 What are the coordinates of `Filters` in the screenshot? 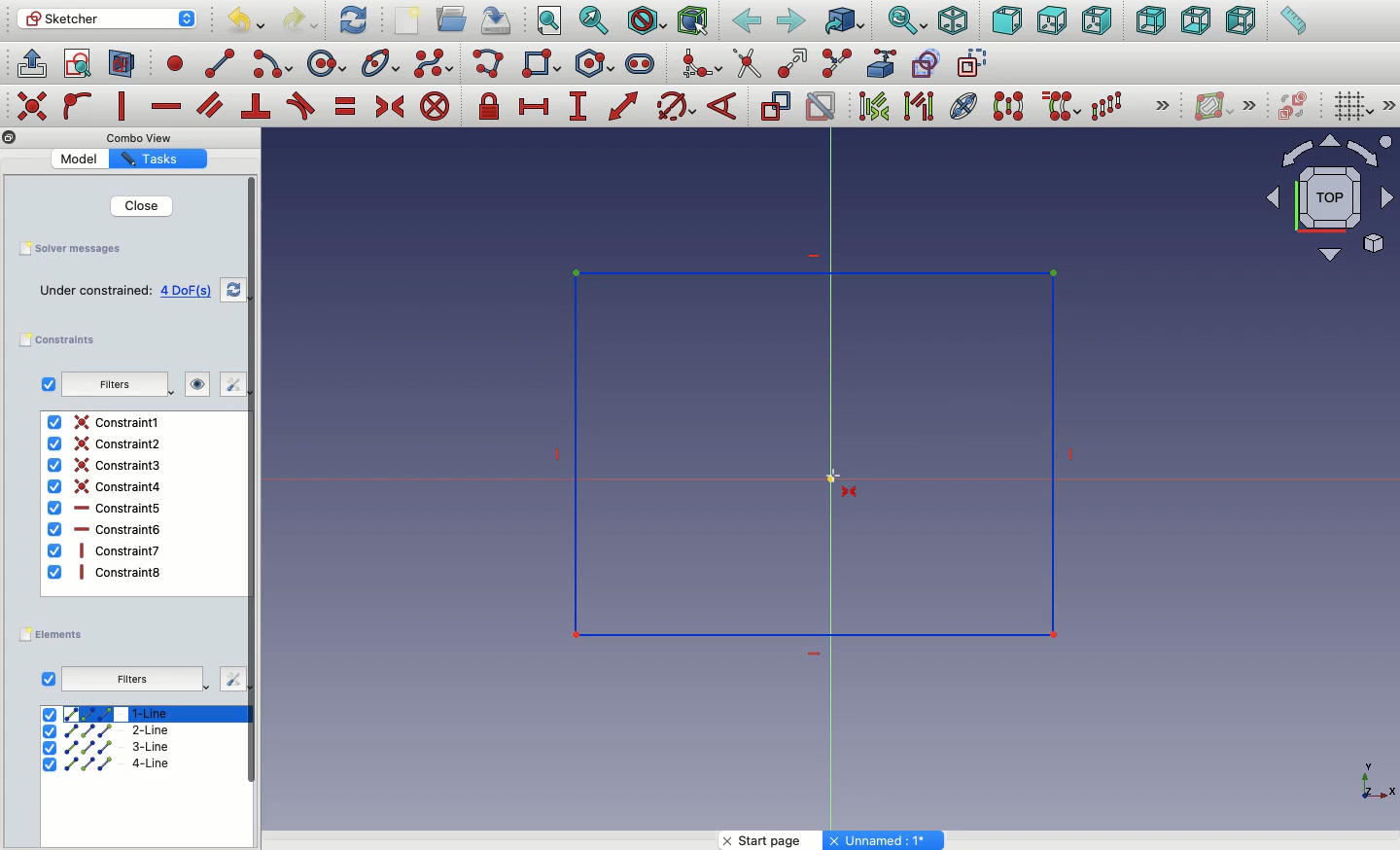 It's located at (131, 680).